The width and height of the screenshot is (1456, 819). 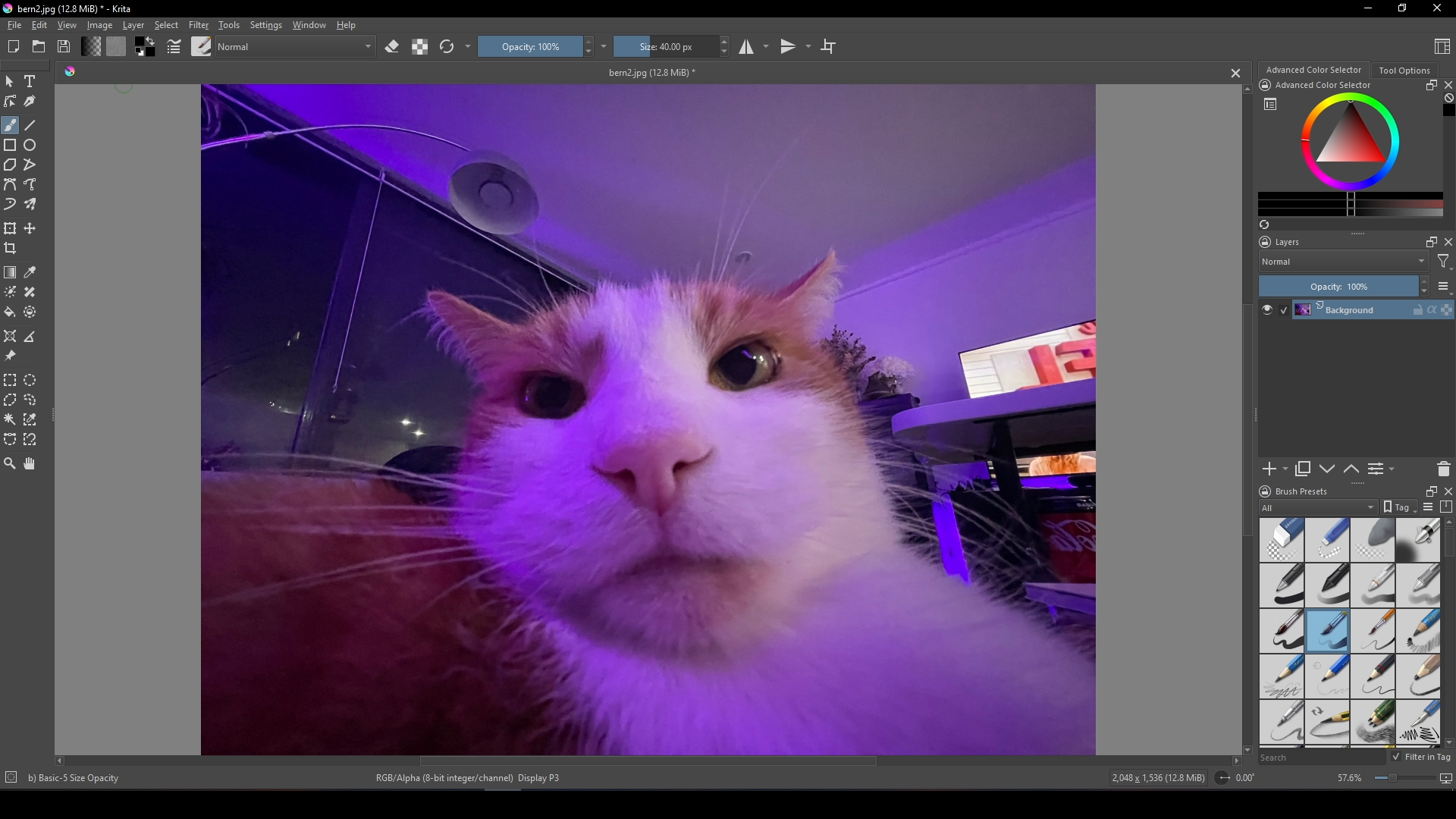 What do you see at coordinates (1382, 469) in the screenshot?
I see `View or change layer properties` at bounding box center [1382, 469].